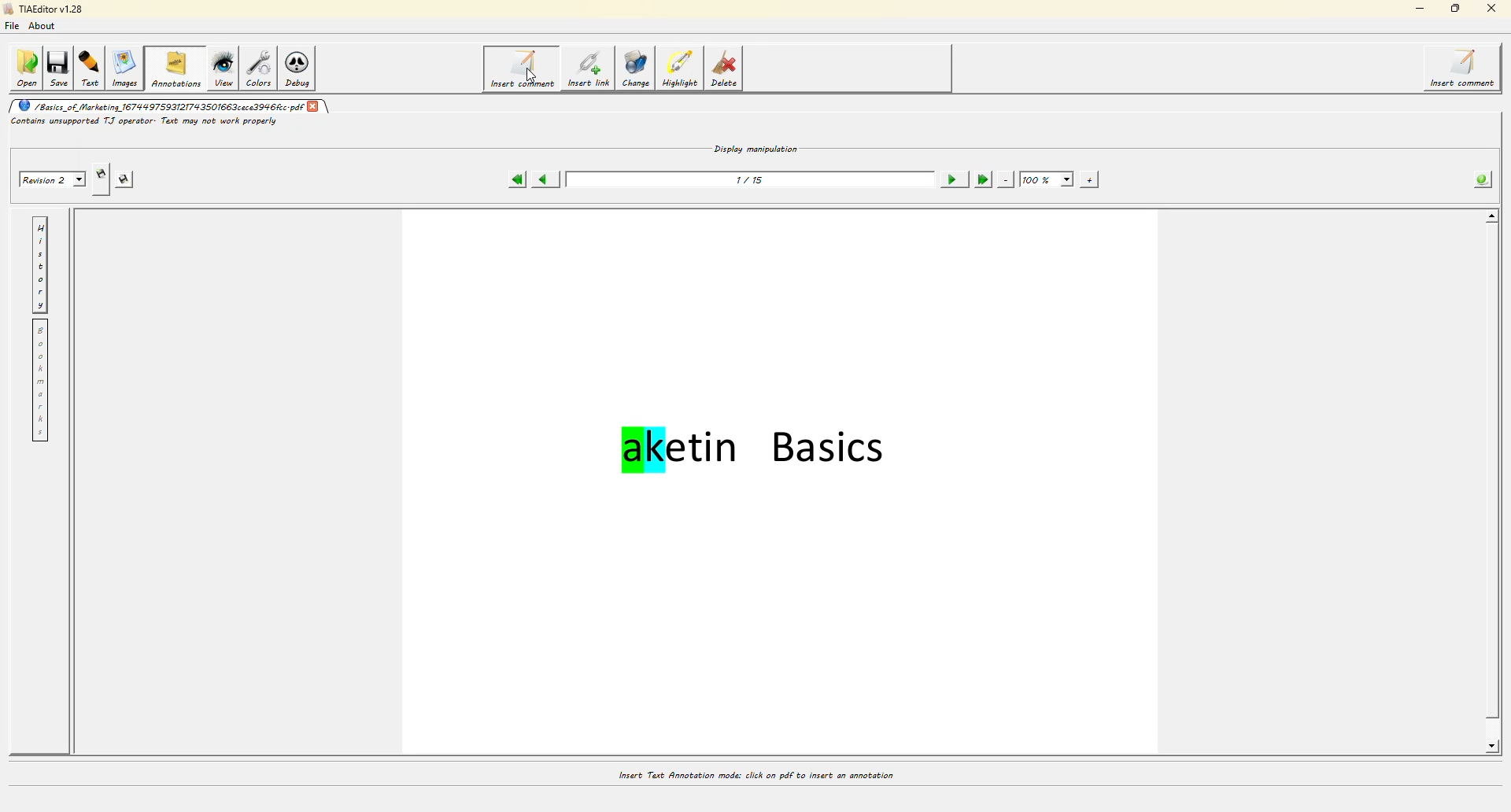  I want to click on change, so click(639, 72).